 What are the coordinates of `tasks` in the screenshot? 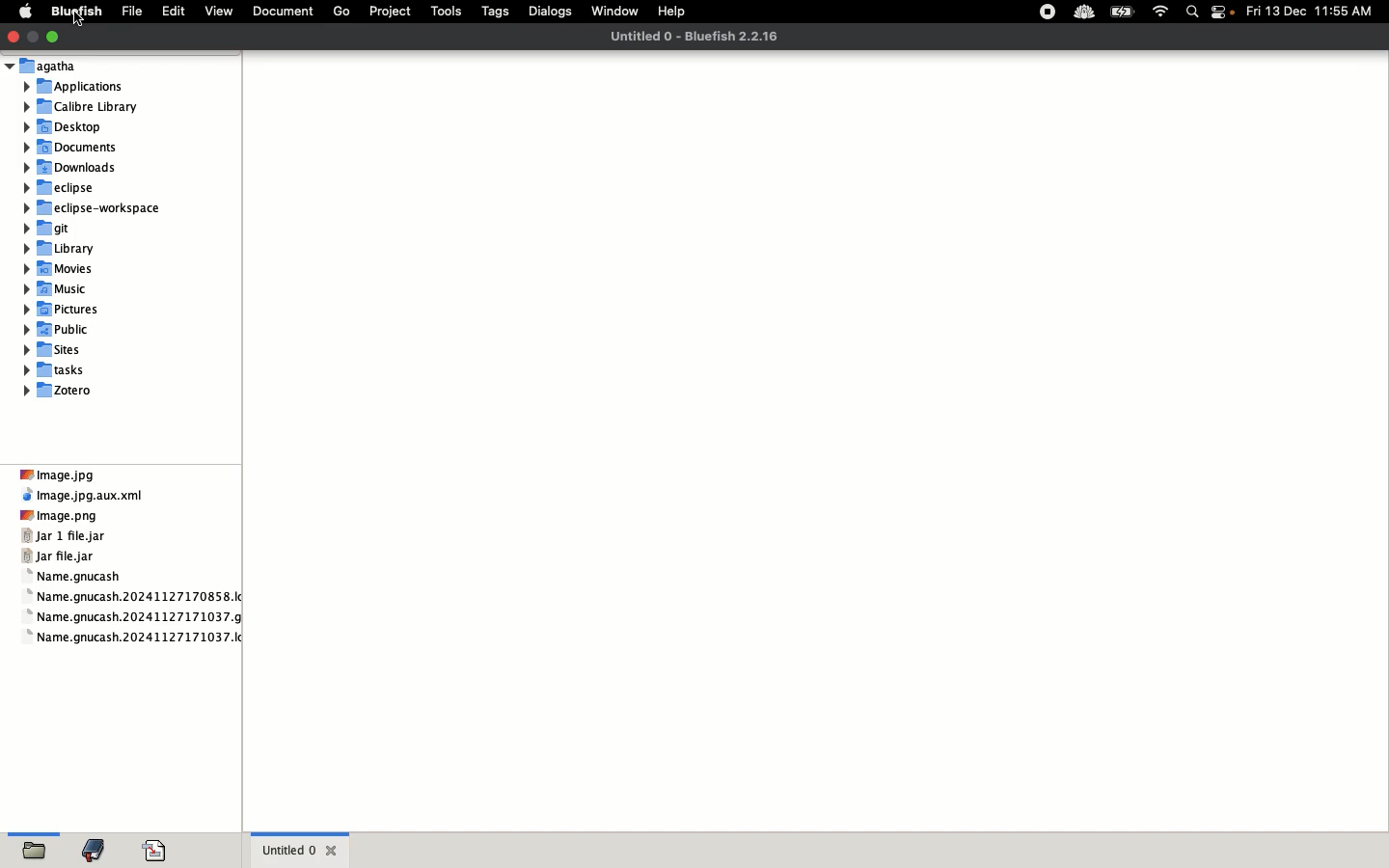 It's located at (62, 371).